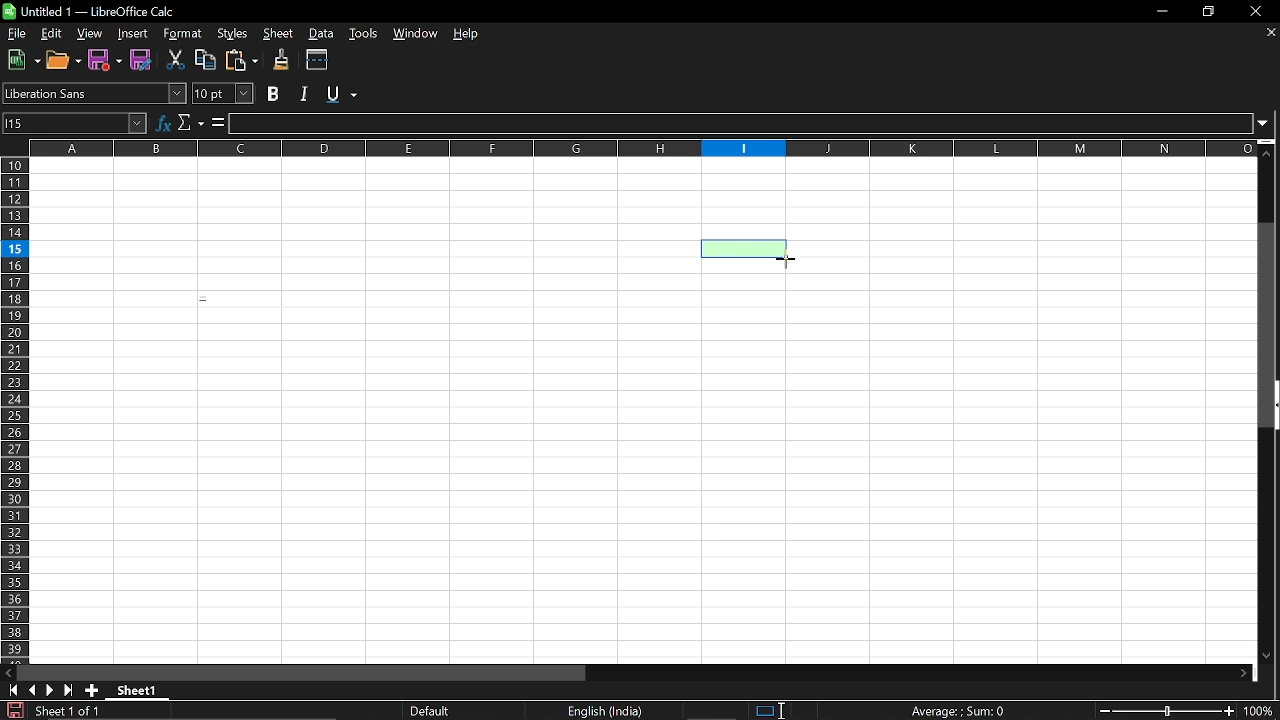 The width and height of the screenshot is (1280, 720). Describe the element at coordinates (1242, 672) in the screenshot. I see `Move down` at that location.